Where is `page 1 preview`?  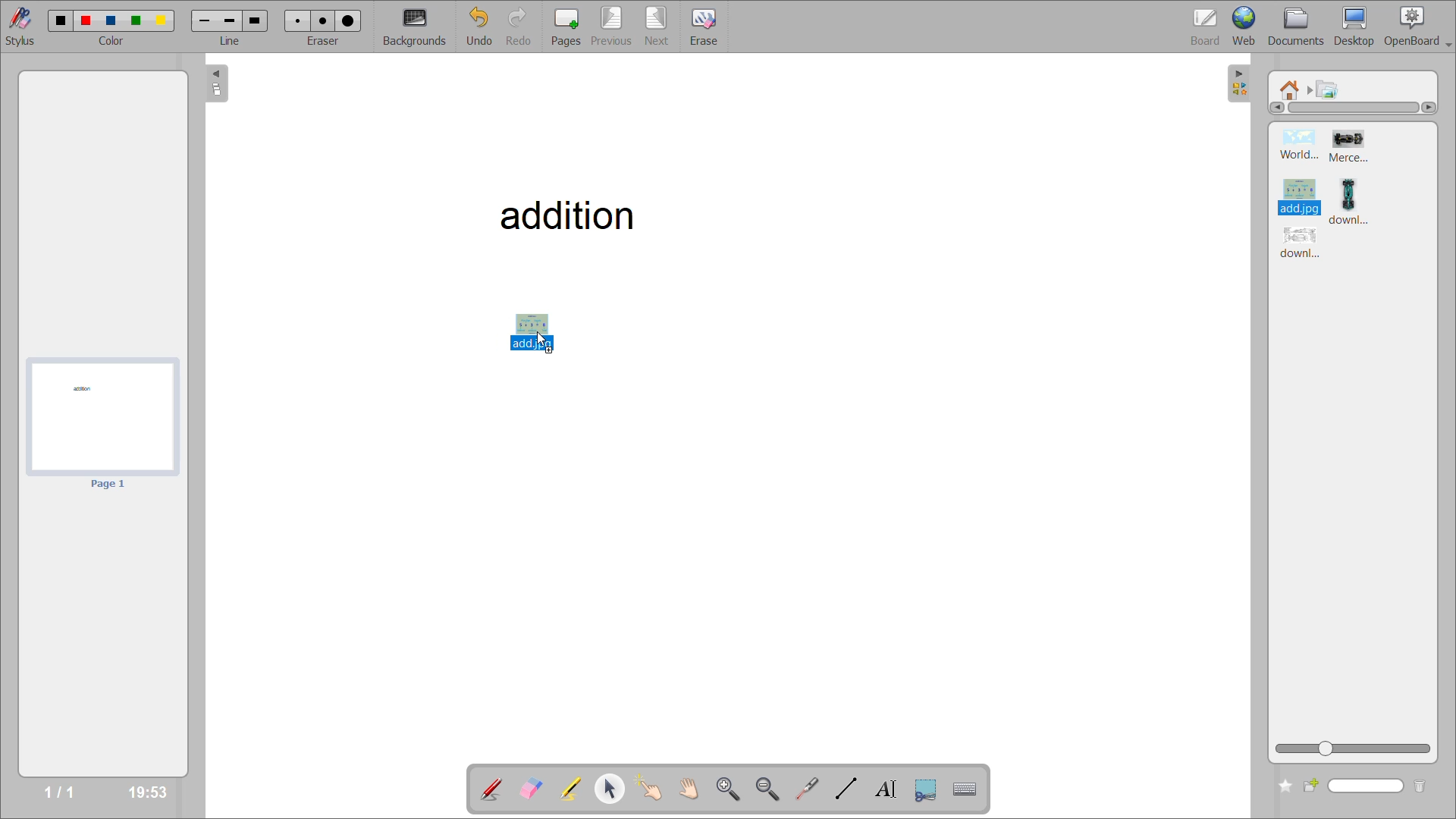
page 1 preview is located at coordinates (100, 416).